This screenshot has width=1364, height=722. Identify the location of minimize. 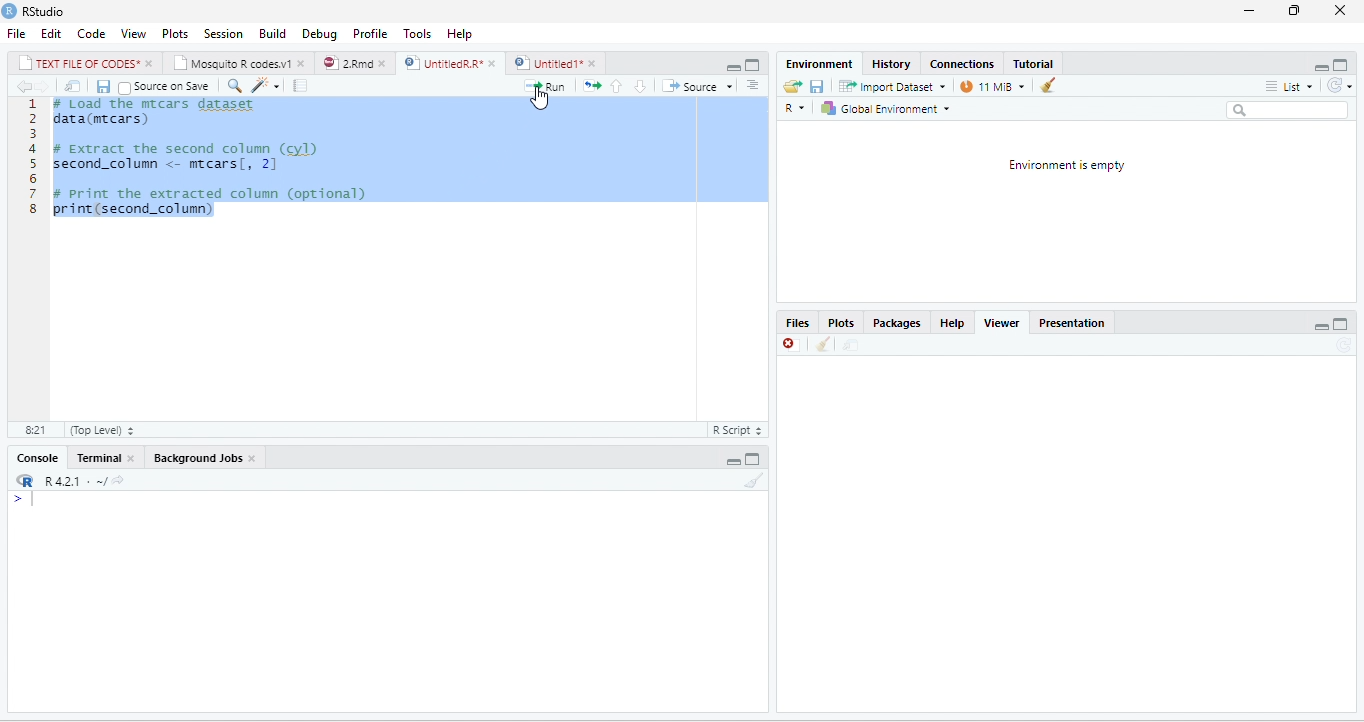
(1250, 13).